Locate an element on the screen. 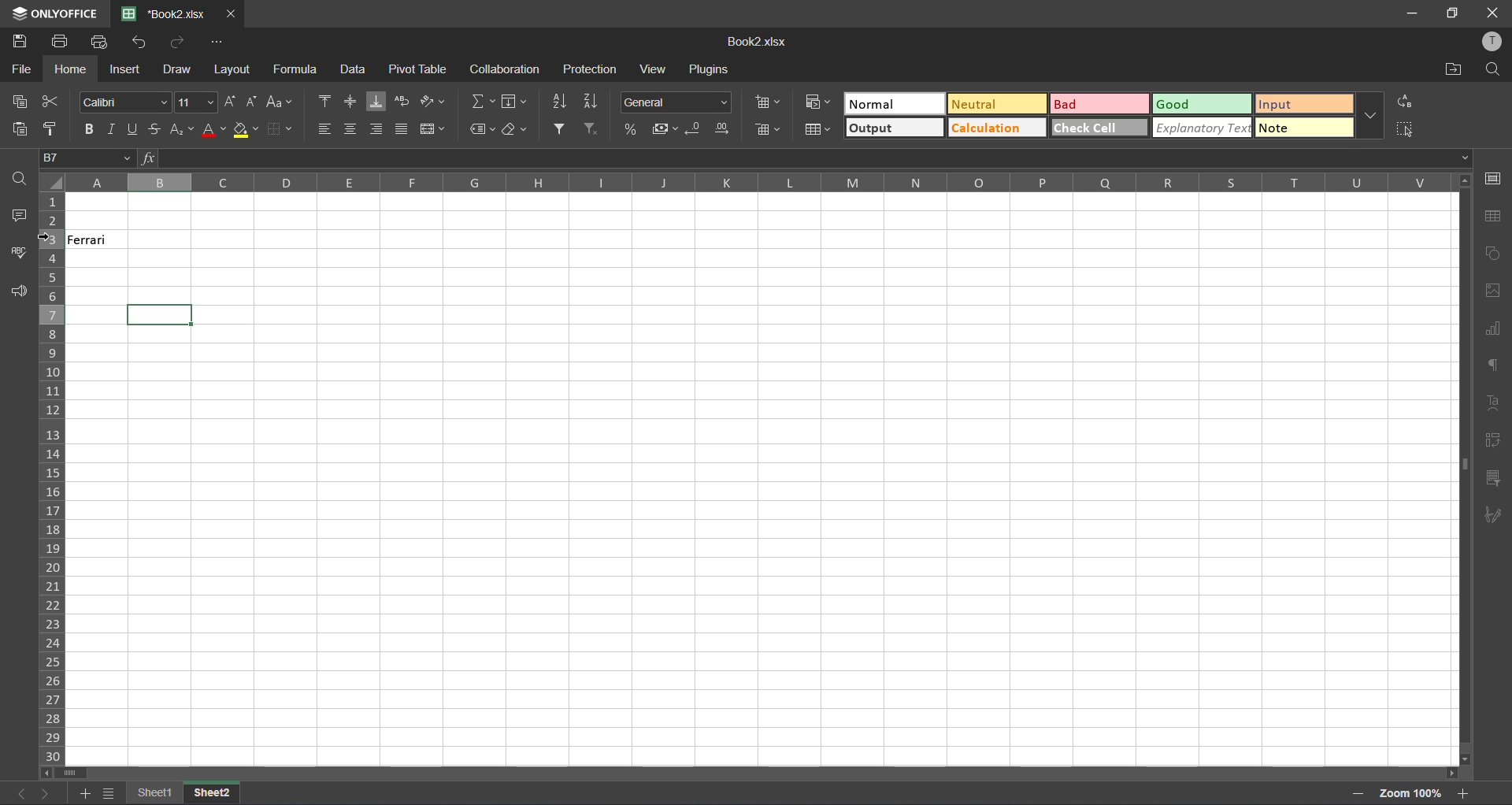  next is located at coordinates (46, 793).